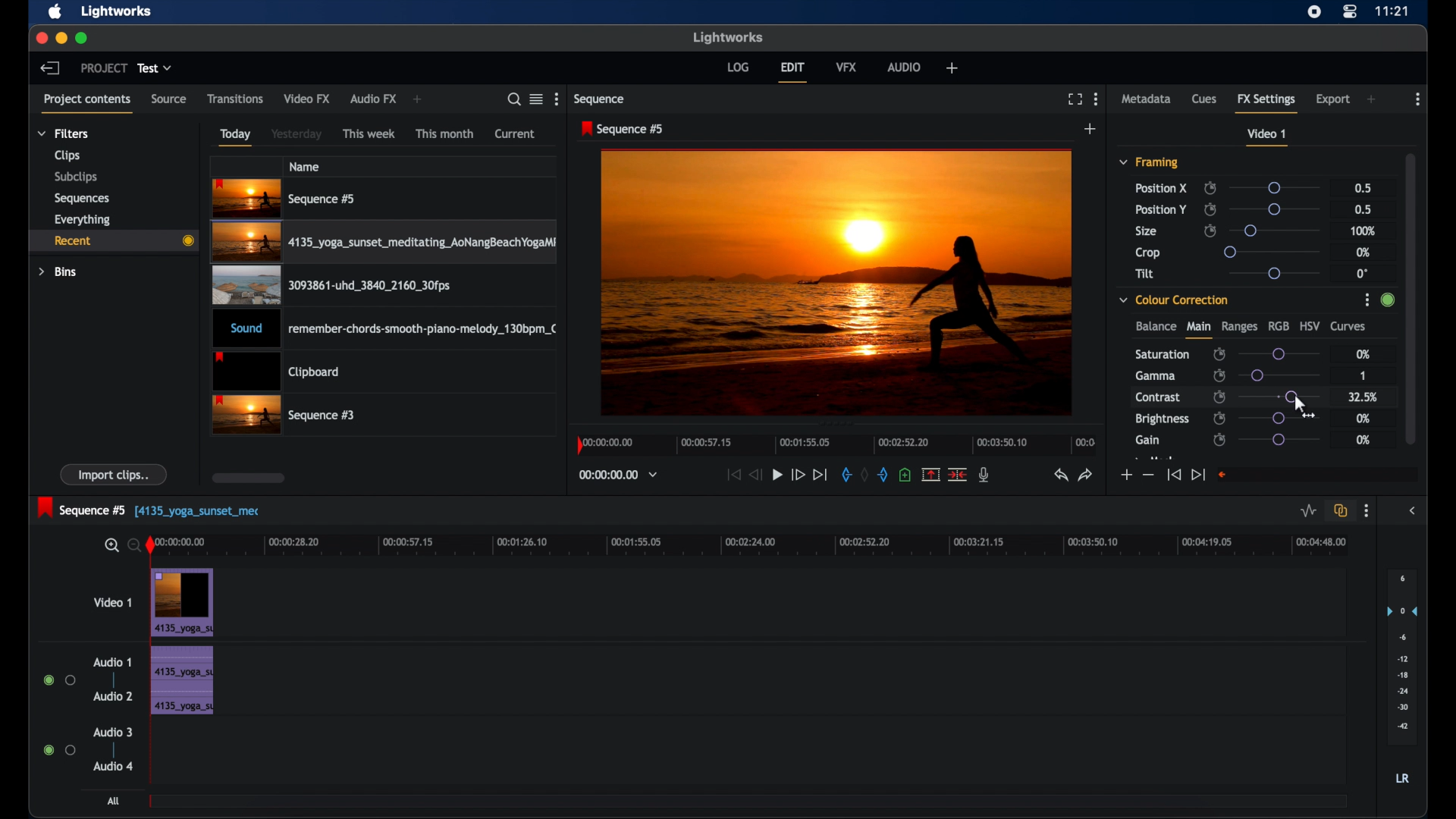 Image resolution: width=1456 pixels, height=819 pixels. Describe the element at coordinates (83, 38) in the screenshot. I see `maximize` at that location.